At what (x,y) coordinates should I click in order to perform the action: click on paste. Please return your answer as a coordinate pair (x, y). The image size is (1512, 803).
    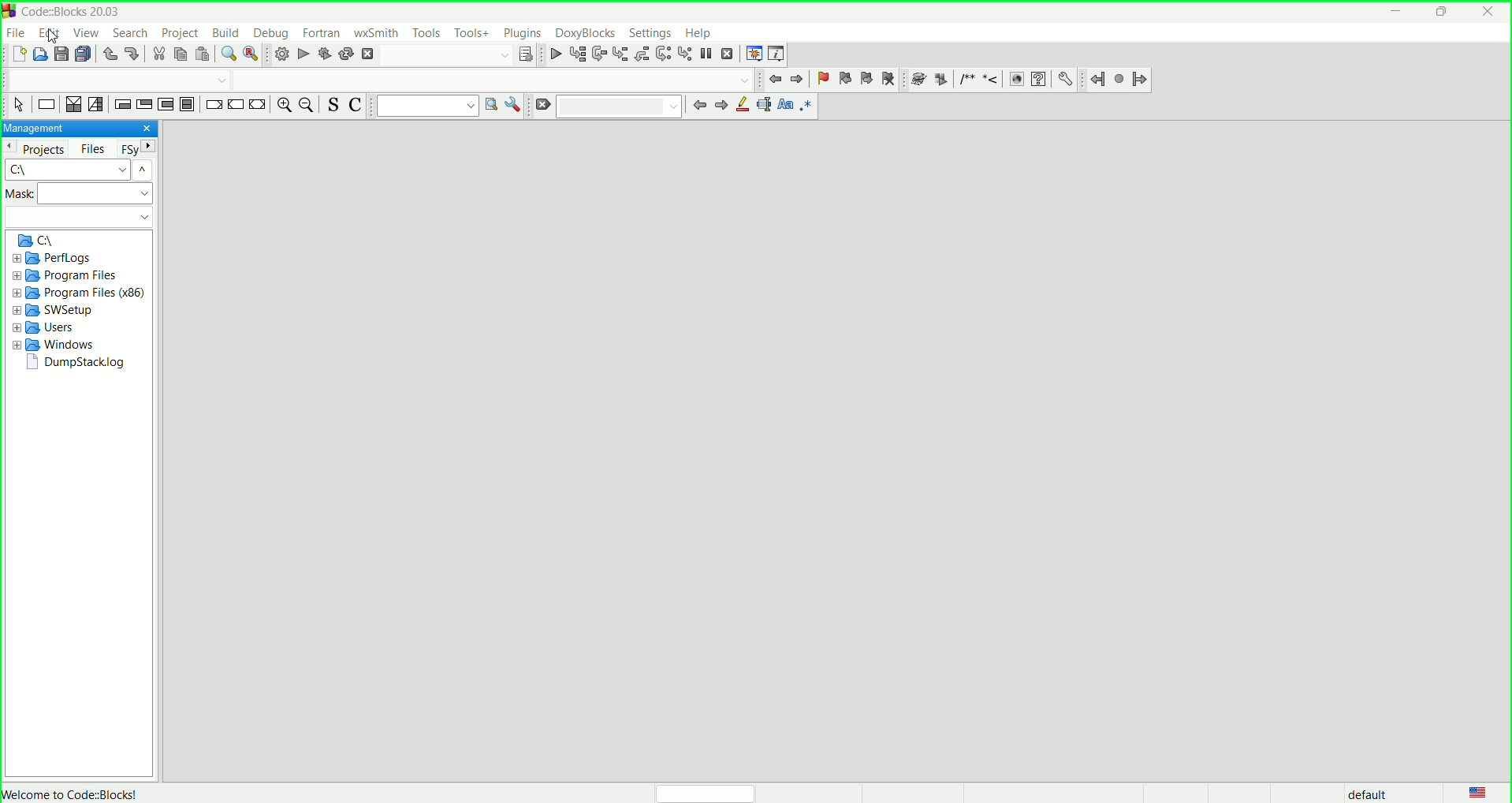
    Looking at the image, I should click on (205, 56).